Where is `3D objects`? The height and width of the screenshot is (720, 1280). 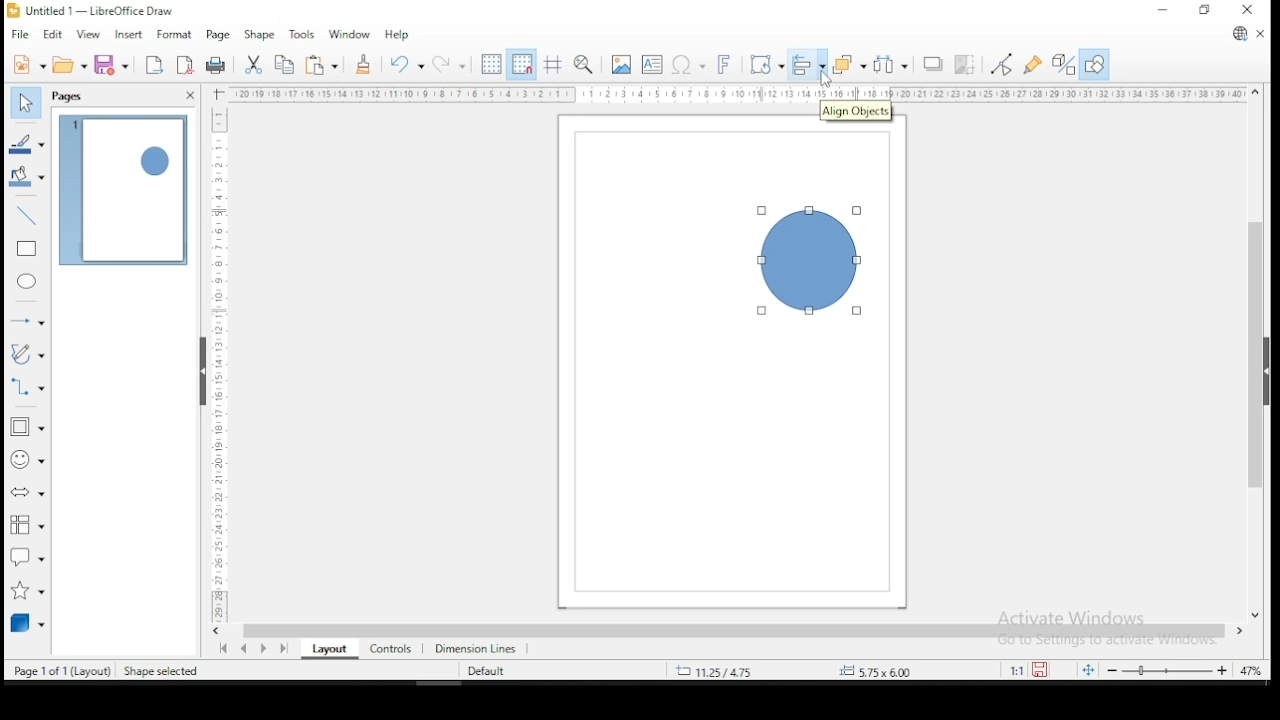
3D objects is located at coordinates (27, 622).